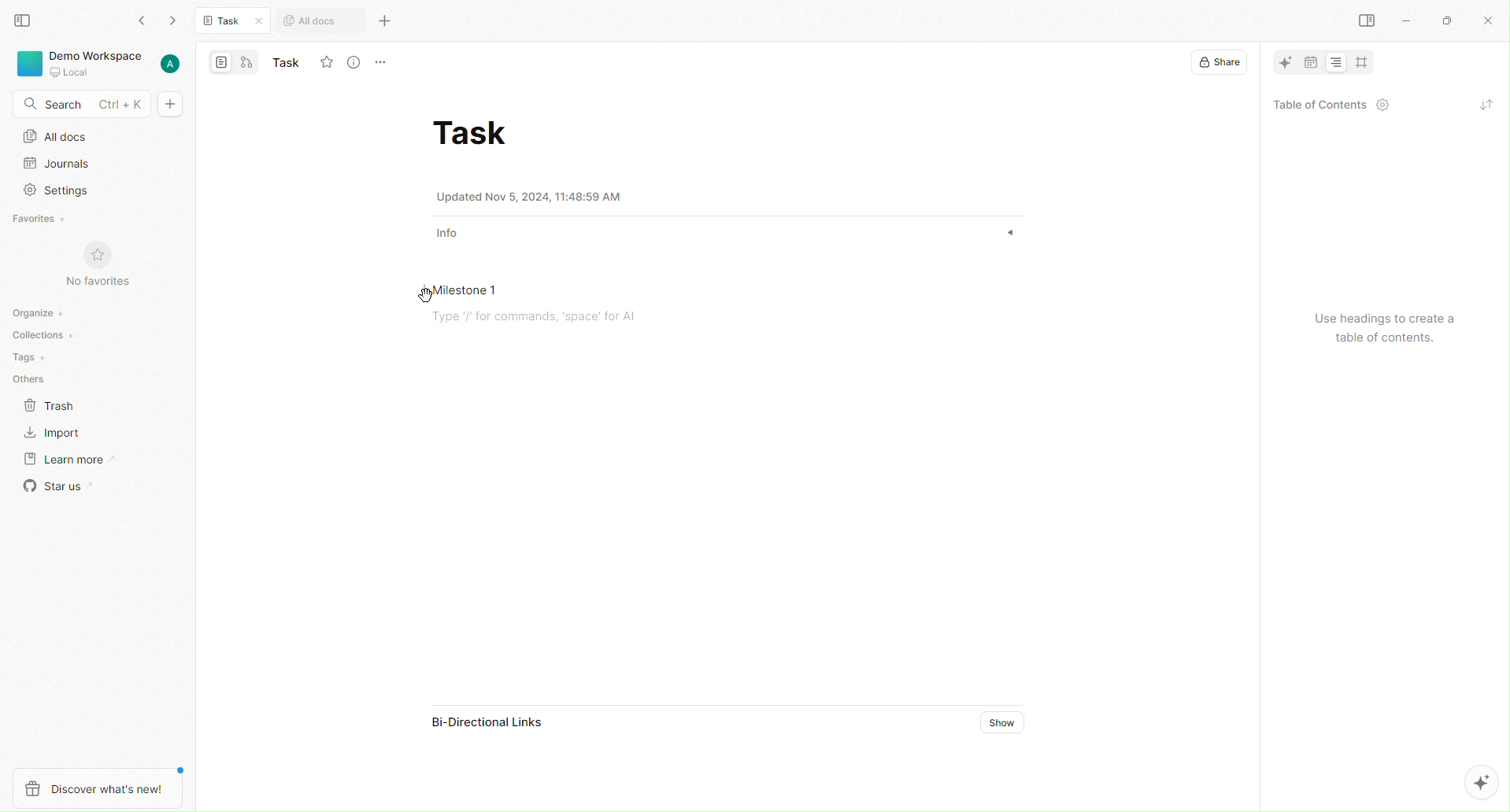 The image size is (1510, 812). I want to click on maximize, so click(1447, 21).